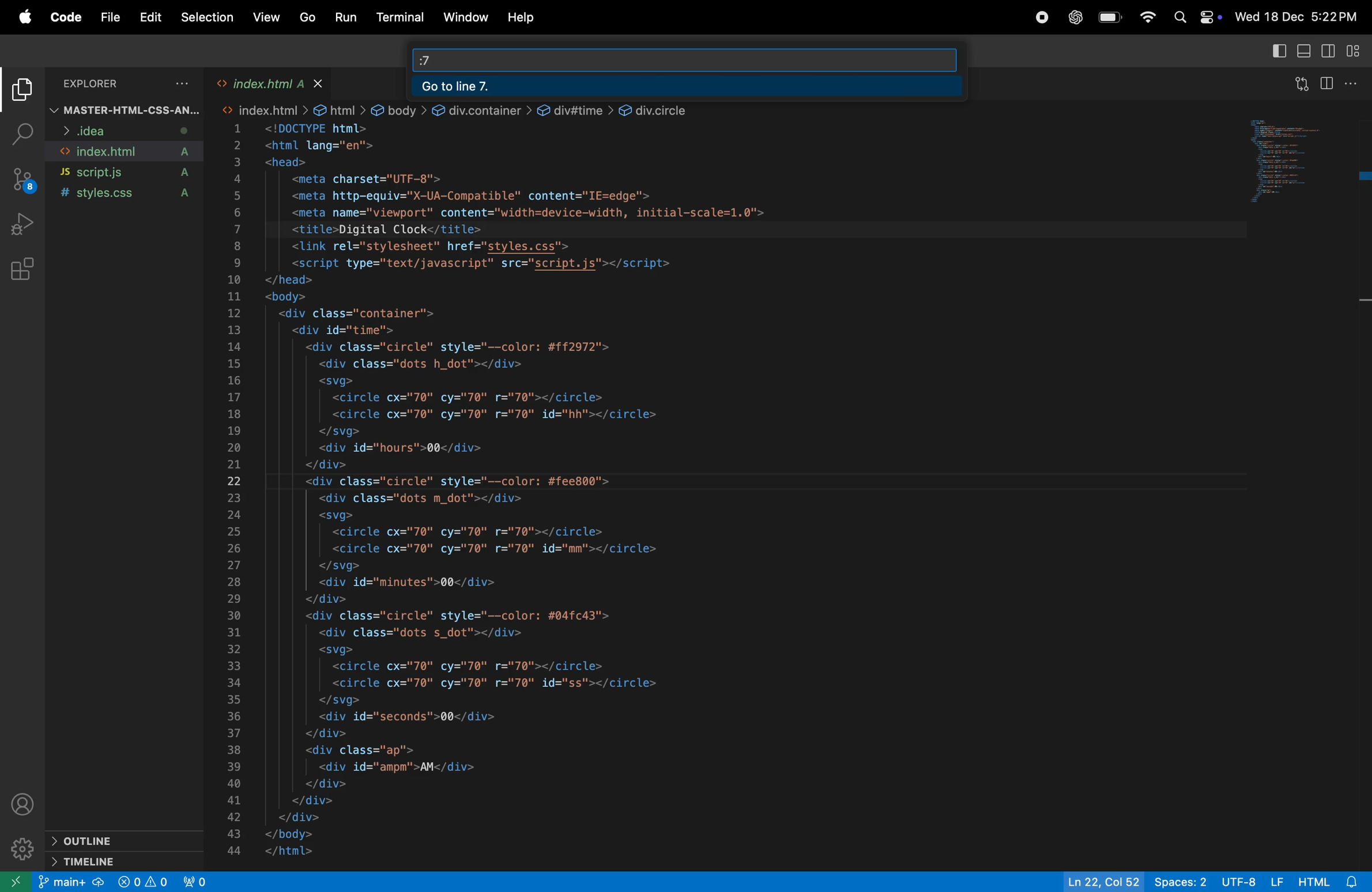 The height and width of the screenshot is (892, 1372). Describe the element at coordinates (197, 881) in the screenshot. I see `view port` at that location.